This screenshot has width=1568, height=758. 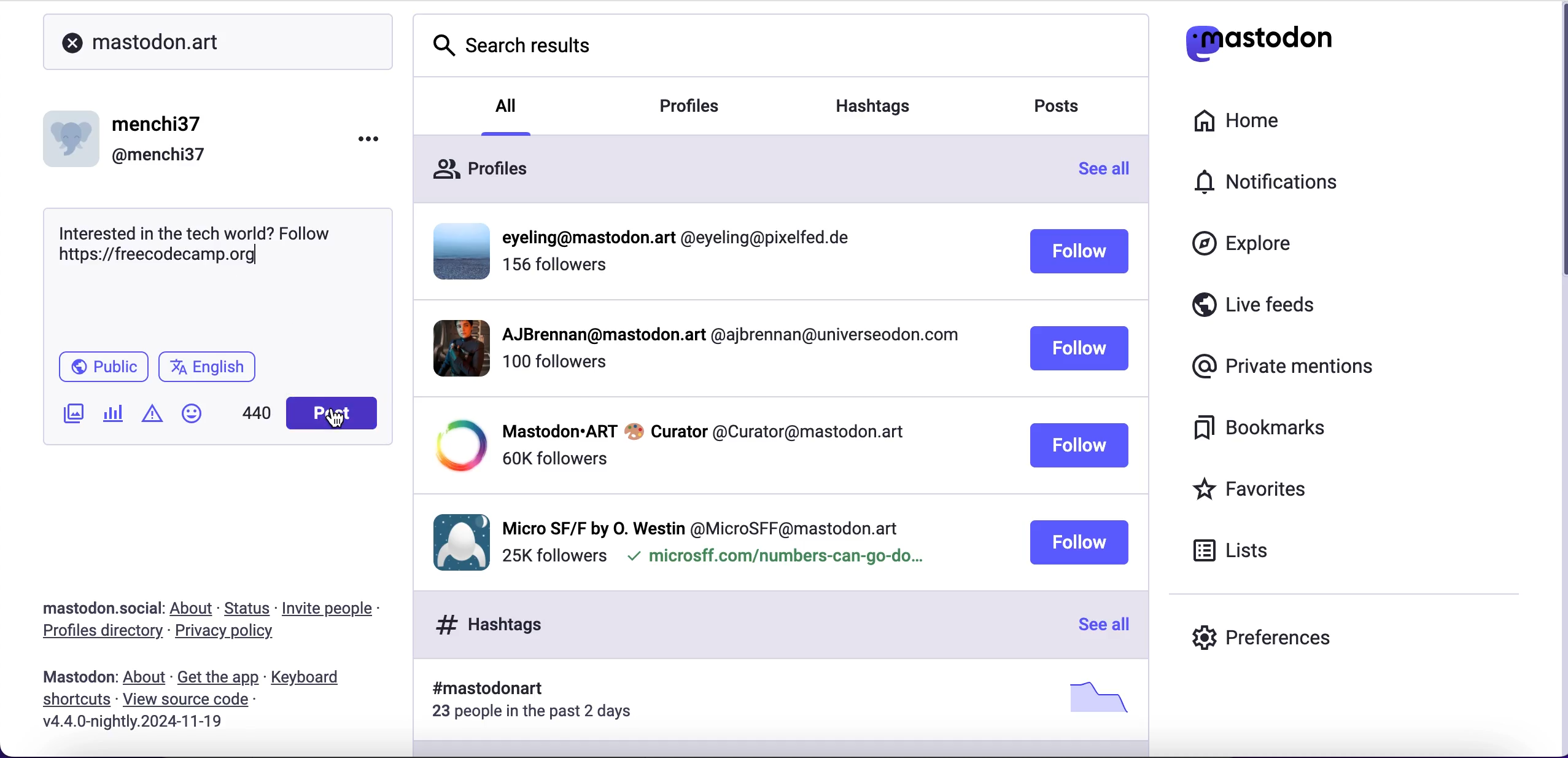 What do you see at coordinates (73, 702) in the screenshot?
I see `shortcuts` at bounding box center [73, 702].